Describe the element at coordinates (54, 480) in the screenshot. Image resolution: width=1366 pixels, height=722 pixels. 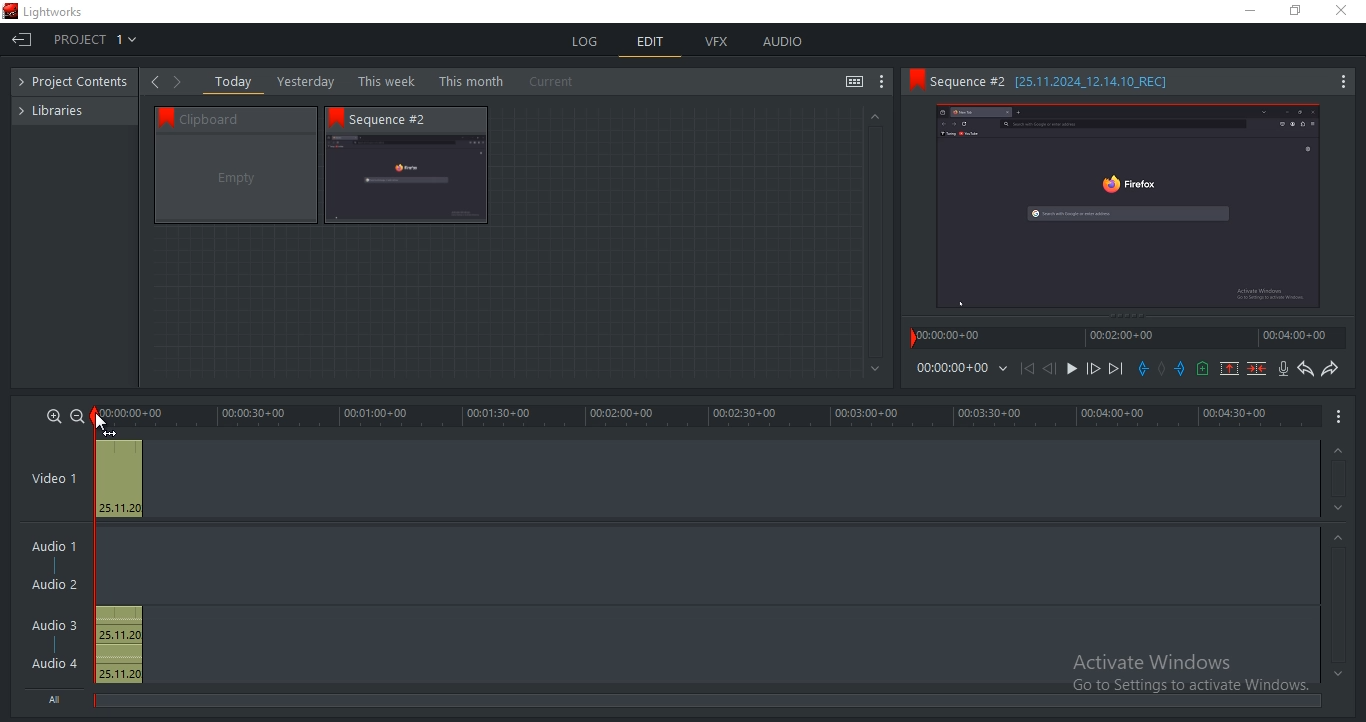
I see `Video 1` at that location.